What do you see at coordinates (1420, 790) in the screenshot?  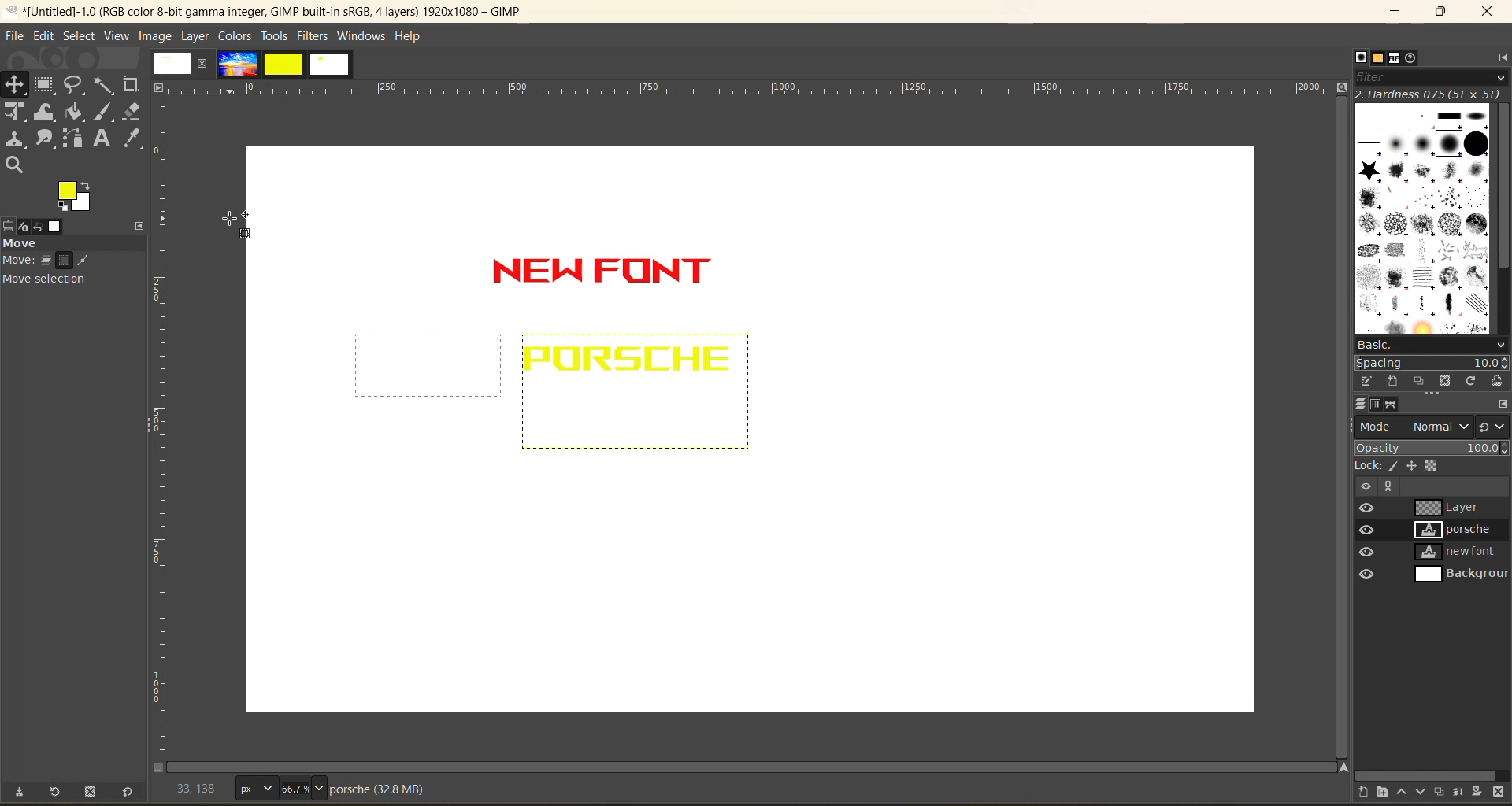 I see `lower the layer` at bounding box center [1420, 790].